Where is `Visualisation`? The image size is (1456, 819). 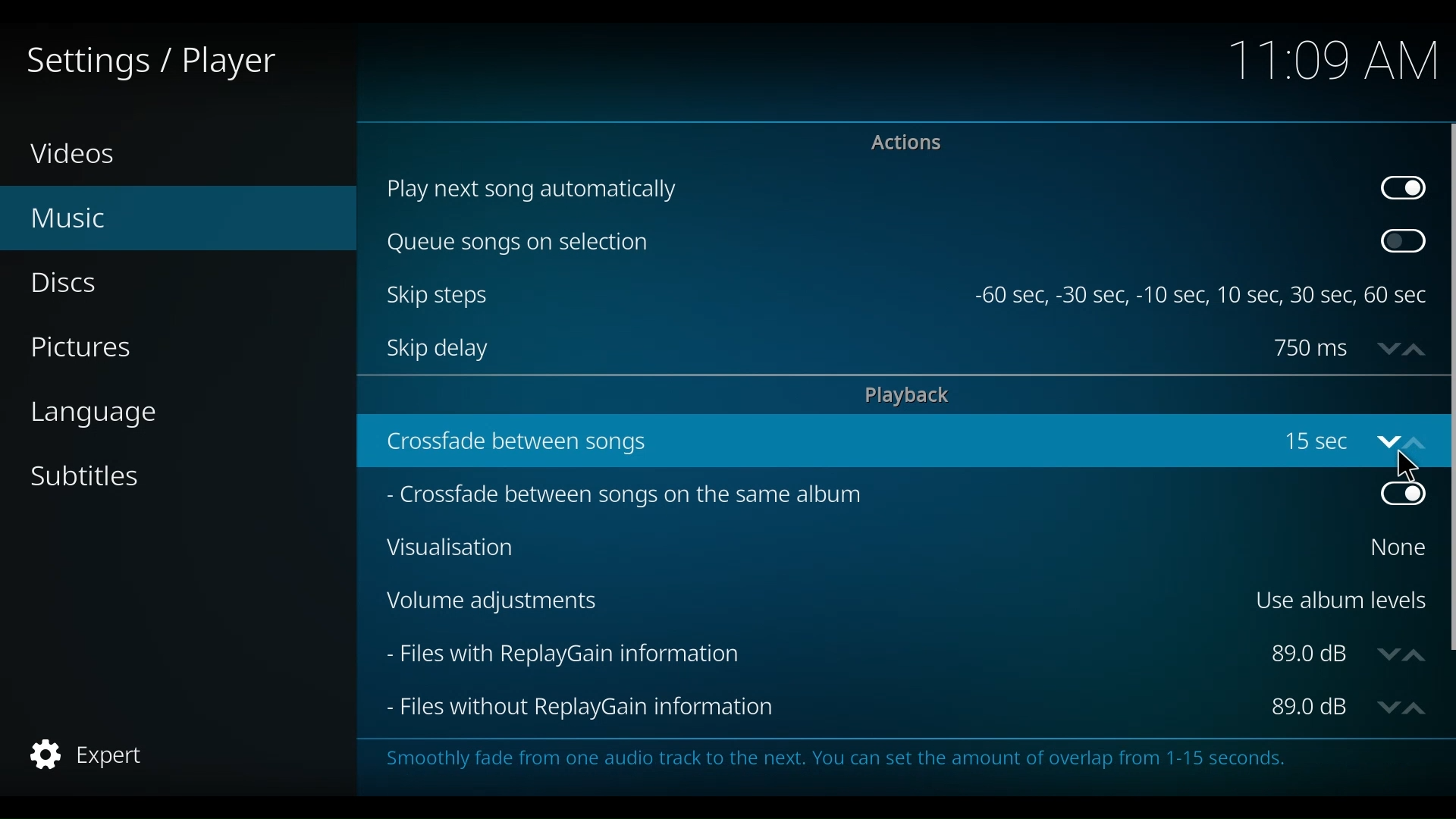 Visualisation is located at coordinates (862, 547).